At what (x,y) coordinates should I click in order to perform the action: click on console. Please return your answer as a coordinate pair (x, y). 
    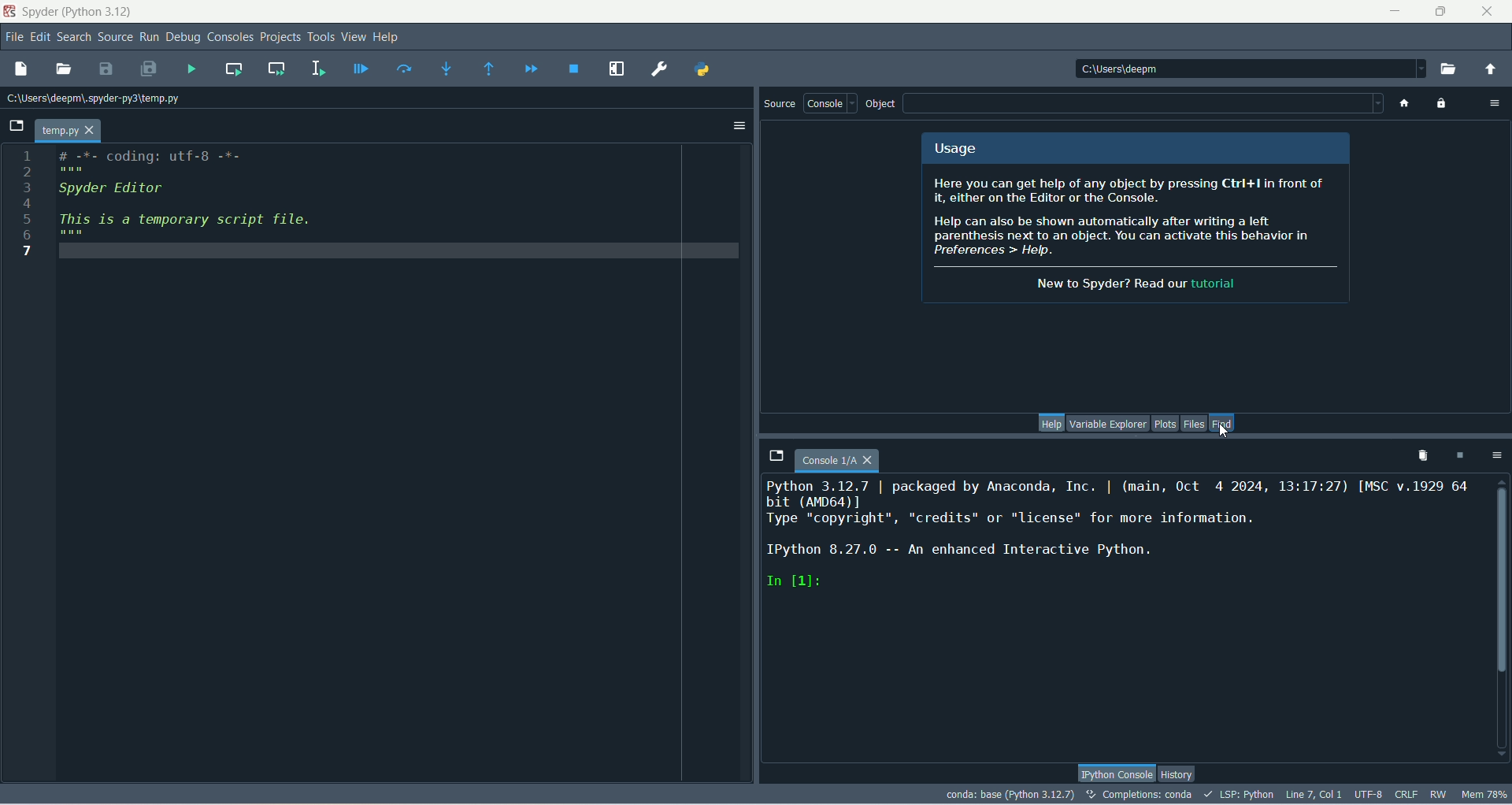
    Looking at the image, I should click on (837, 462).